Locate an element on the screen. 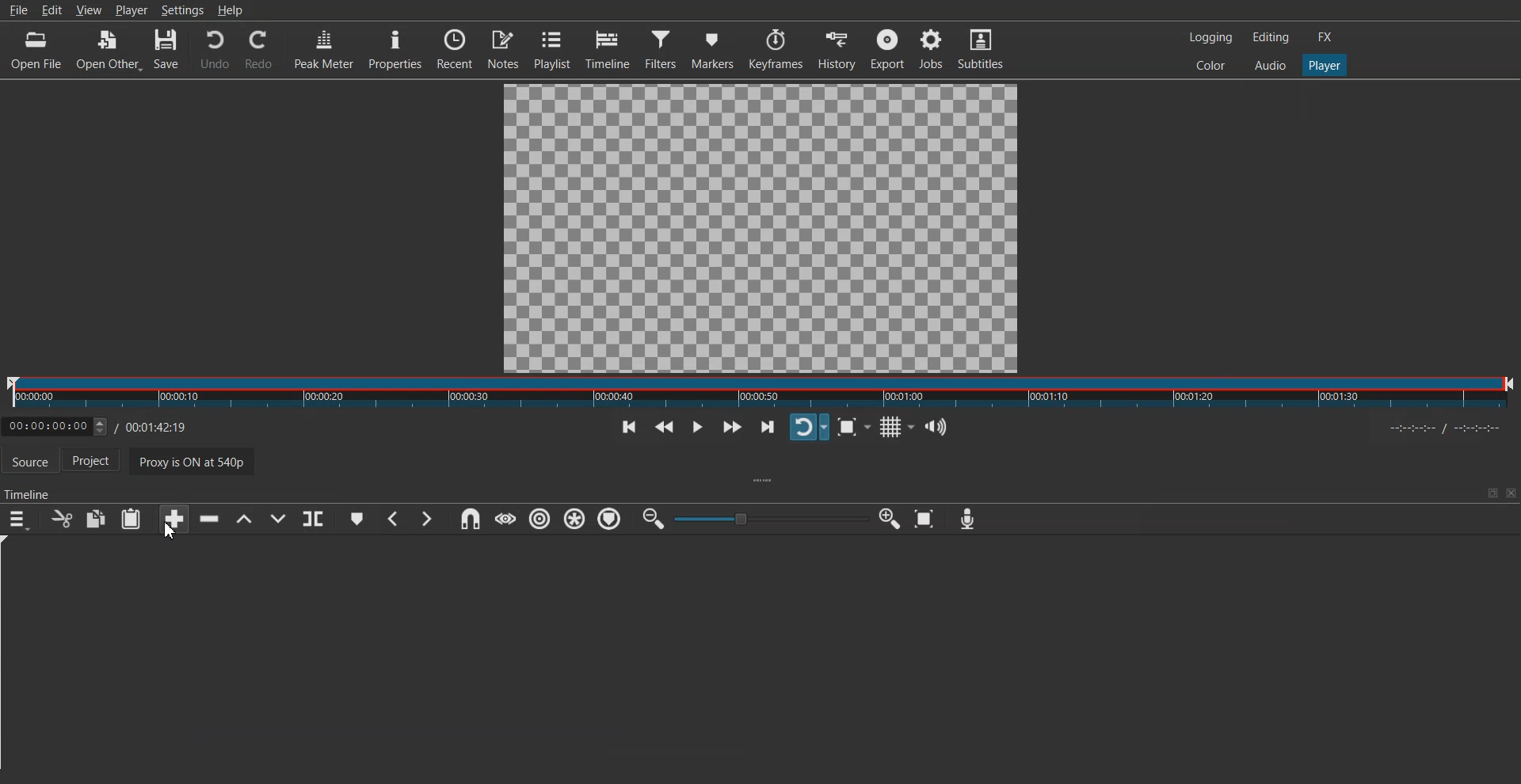 This screenshot has height=784, width=1521. Zoom timeline out is located at coordinates (654, 518).